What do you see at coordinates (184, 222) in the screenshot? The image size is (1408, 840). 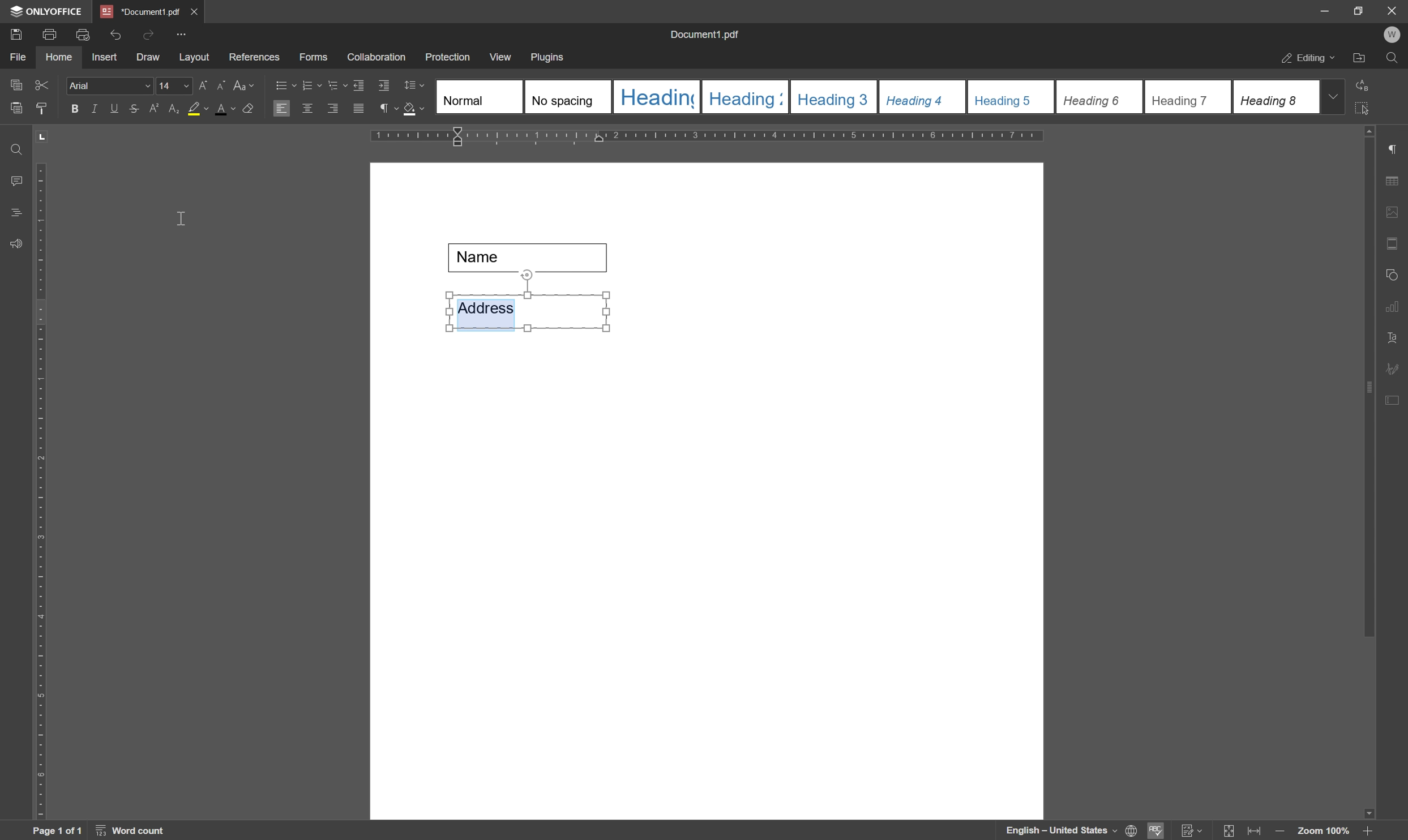 I see `cursor` at bounding box center [184, 222].